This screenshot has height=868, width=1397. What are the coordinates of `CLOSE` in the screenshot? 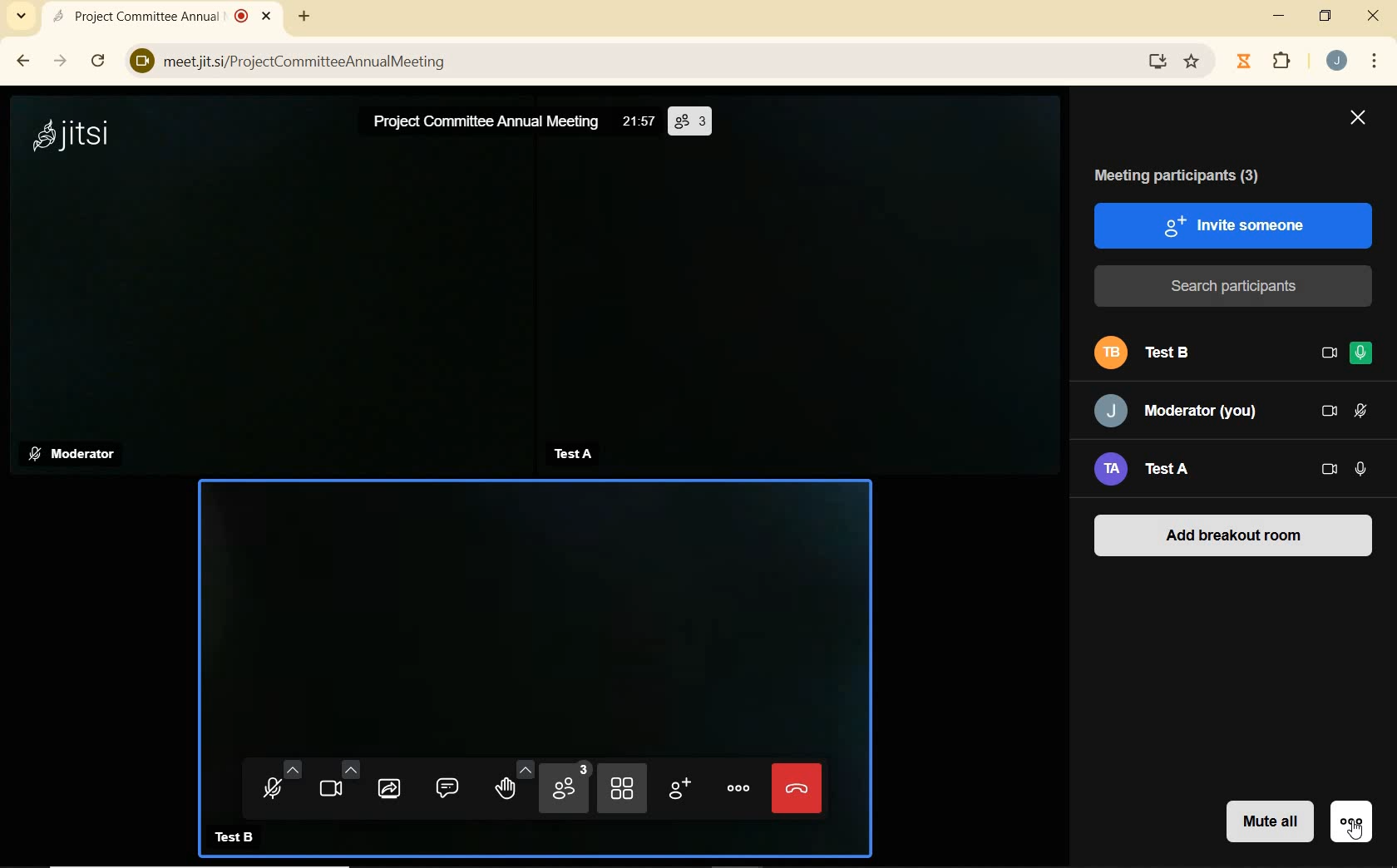 It's located at (1375, 16).